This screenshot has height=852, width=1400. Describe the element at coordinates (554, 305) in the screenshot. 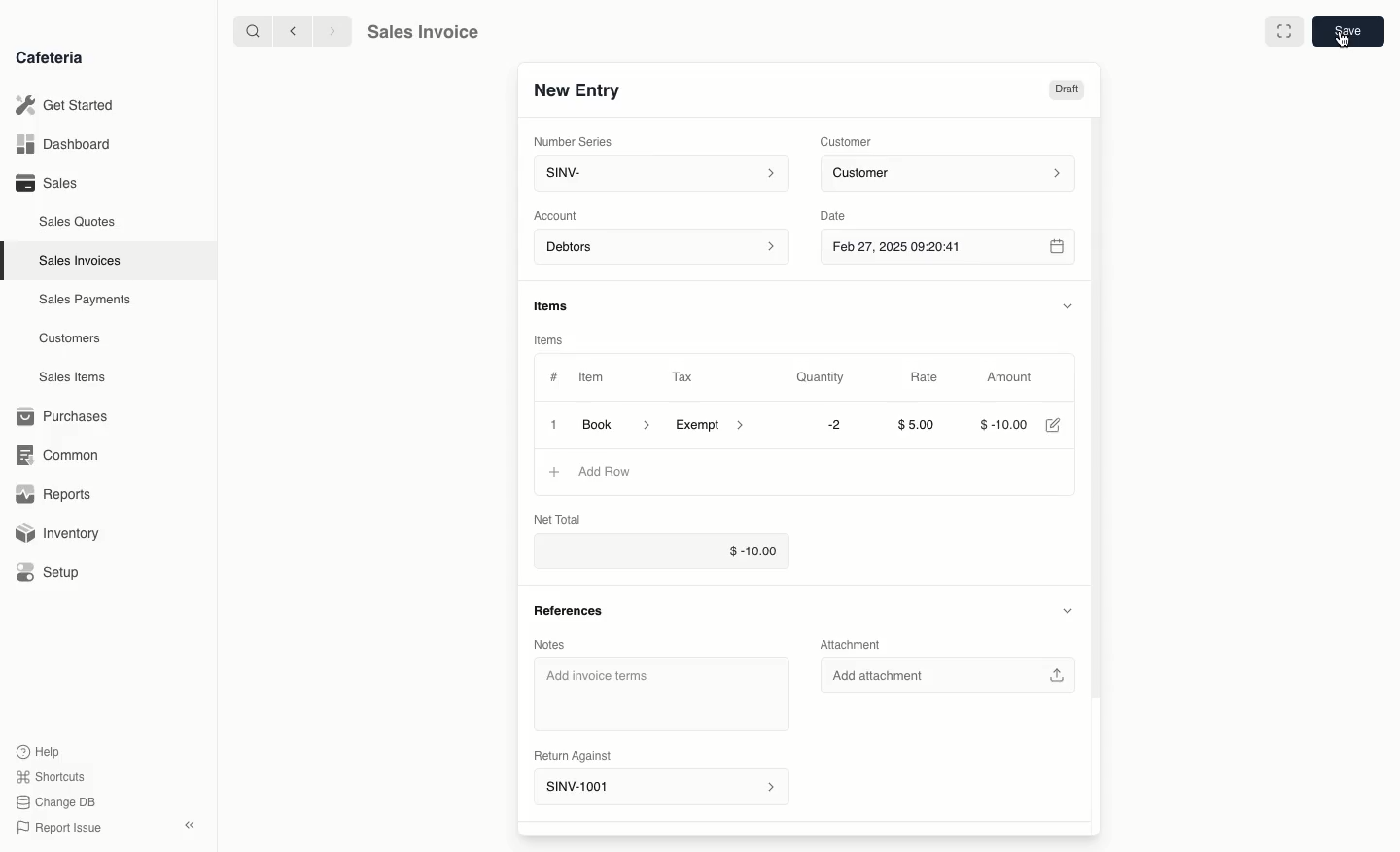

I see `Items` at that location.